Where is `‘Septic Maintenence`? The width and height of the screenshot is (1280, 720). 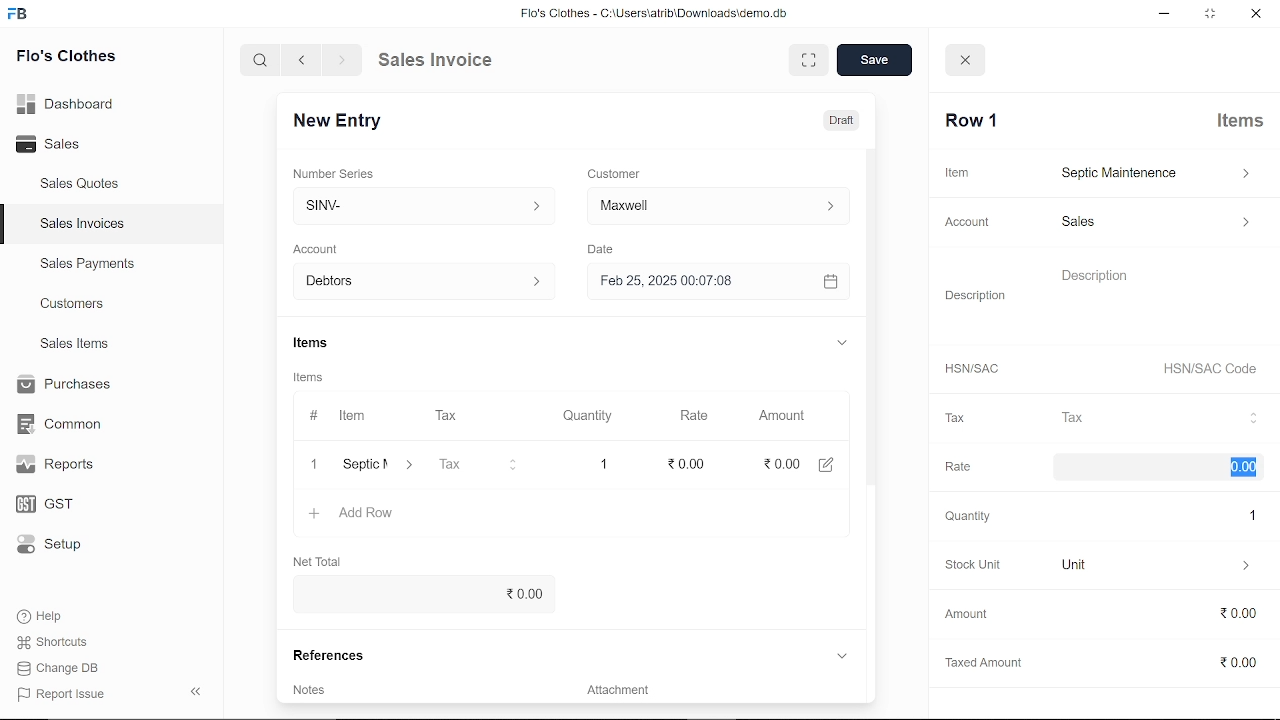 ‘Septic Maintenence is located at coordinates (362, 466).